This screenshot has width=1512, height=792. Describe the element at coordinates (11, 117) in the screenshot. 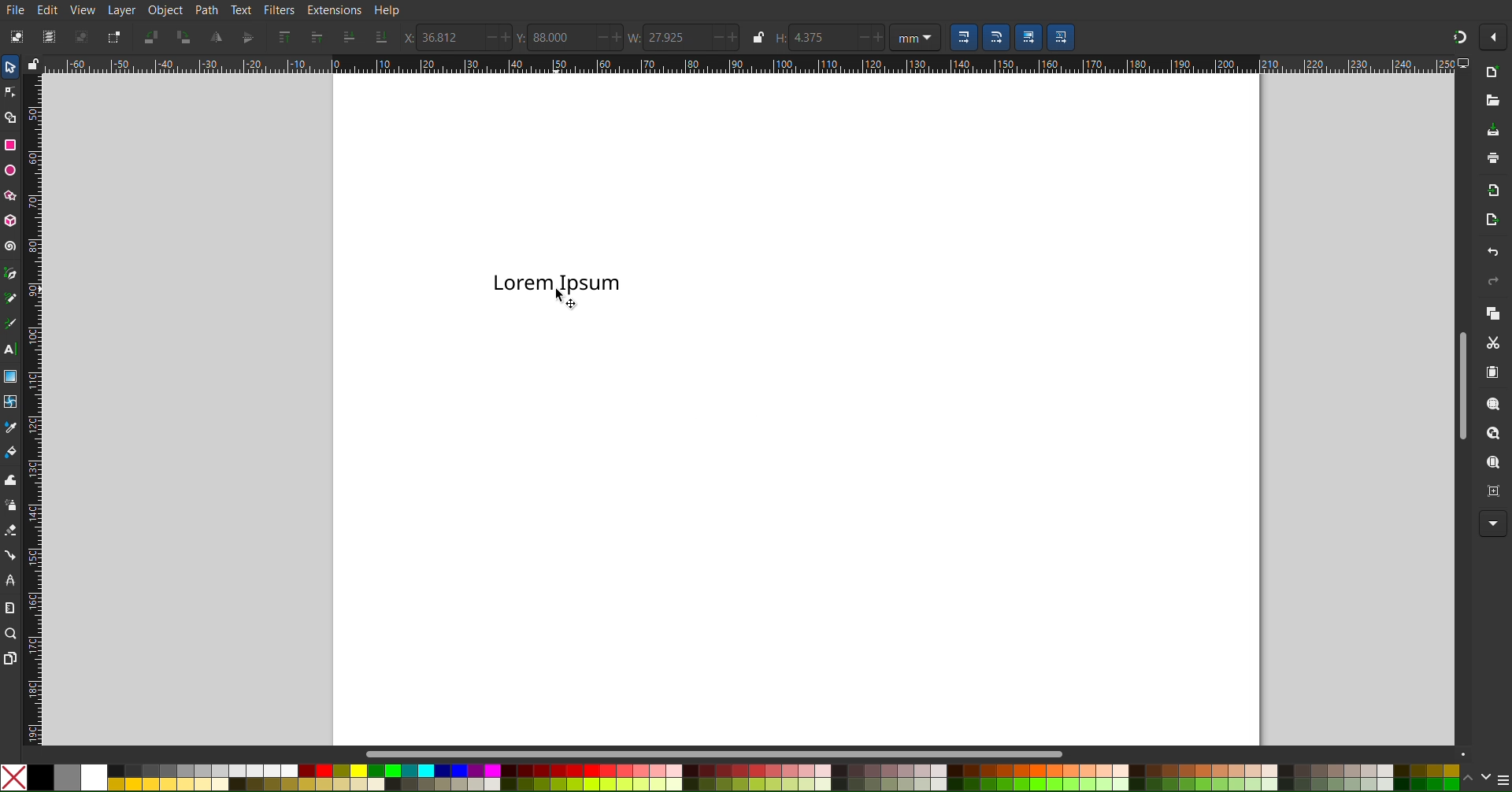

I see `Shape Builder Tool` at that location.